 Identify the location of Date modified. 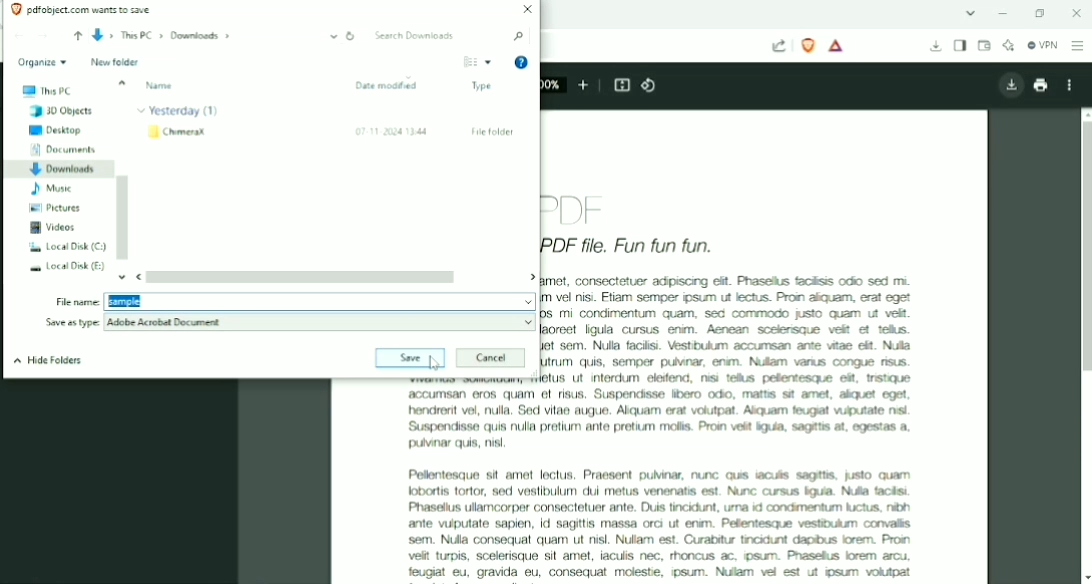
(388, 86).